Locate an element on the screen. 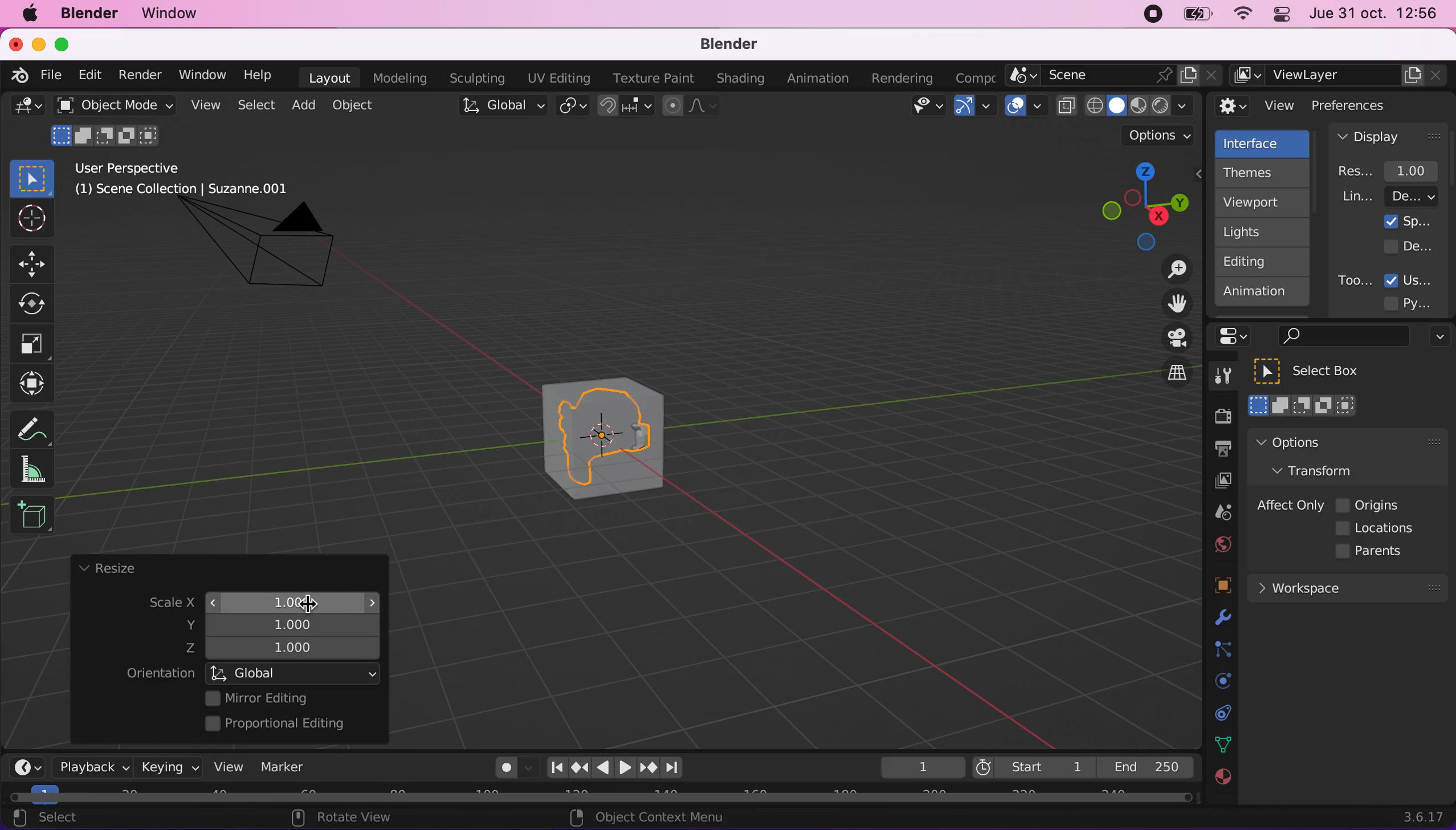 This screenshot has height=830, width=1456. keyframe is located at coordinates (921, 768).